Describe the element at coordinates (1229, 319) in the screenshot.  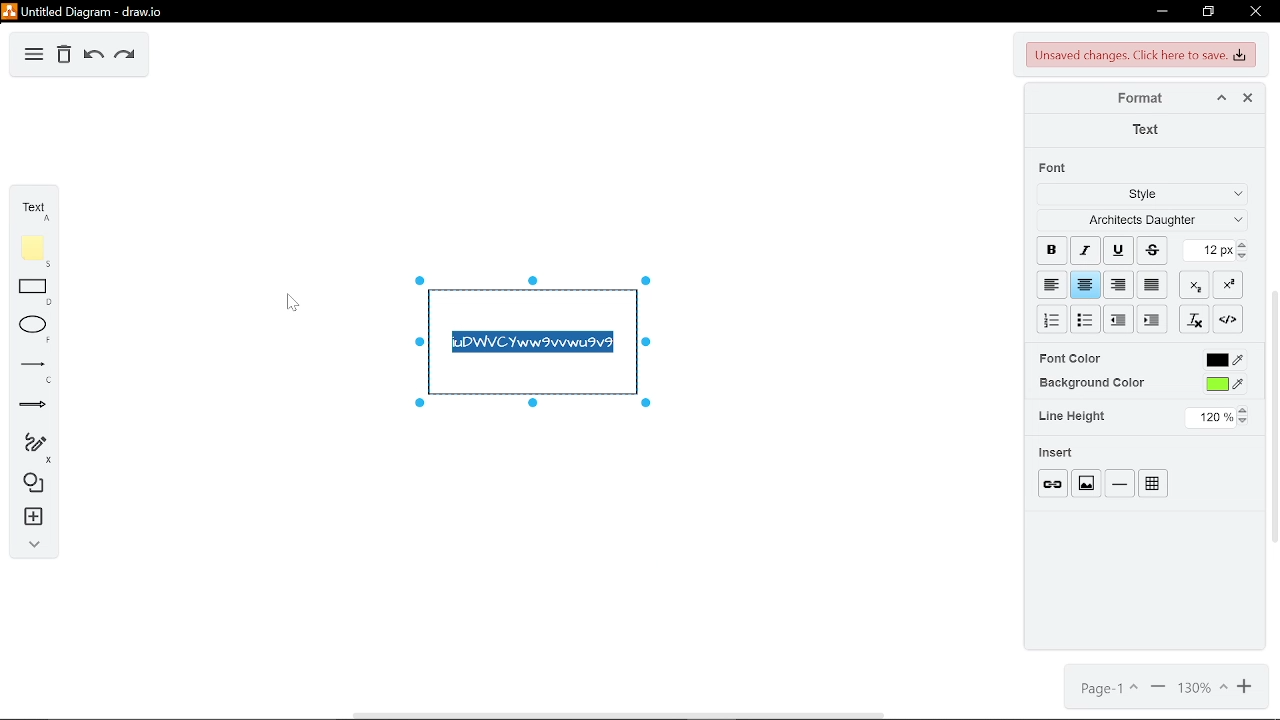
I see `HTML` at that location.